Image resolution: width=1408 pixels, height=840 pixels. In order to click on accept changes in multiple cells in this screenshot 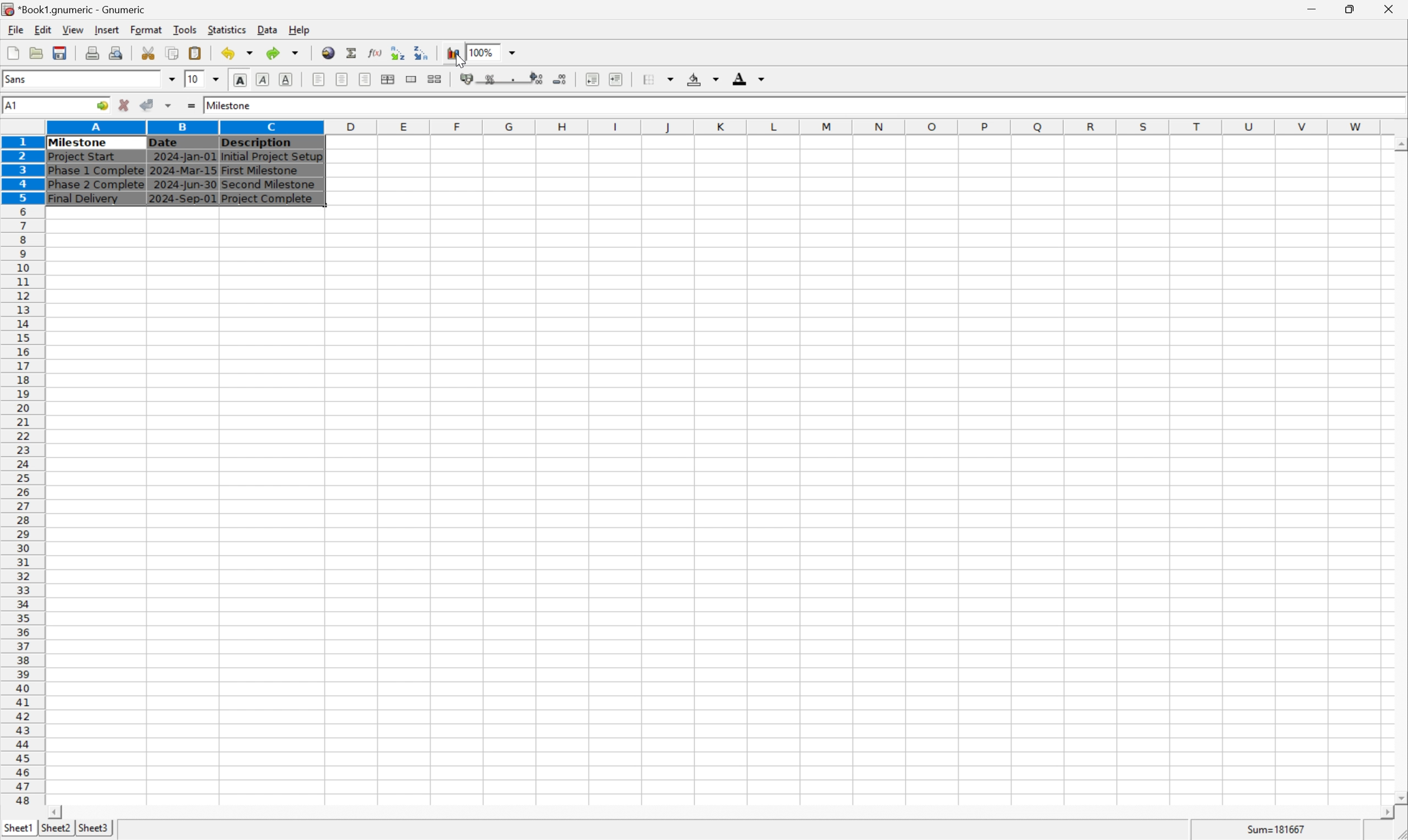, I will do `click(170, 108)`.